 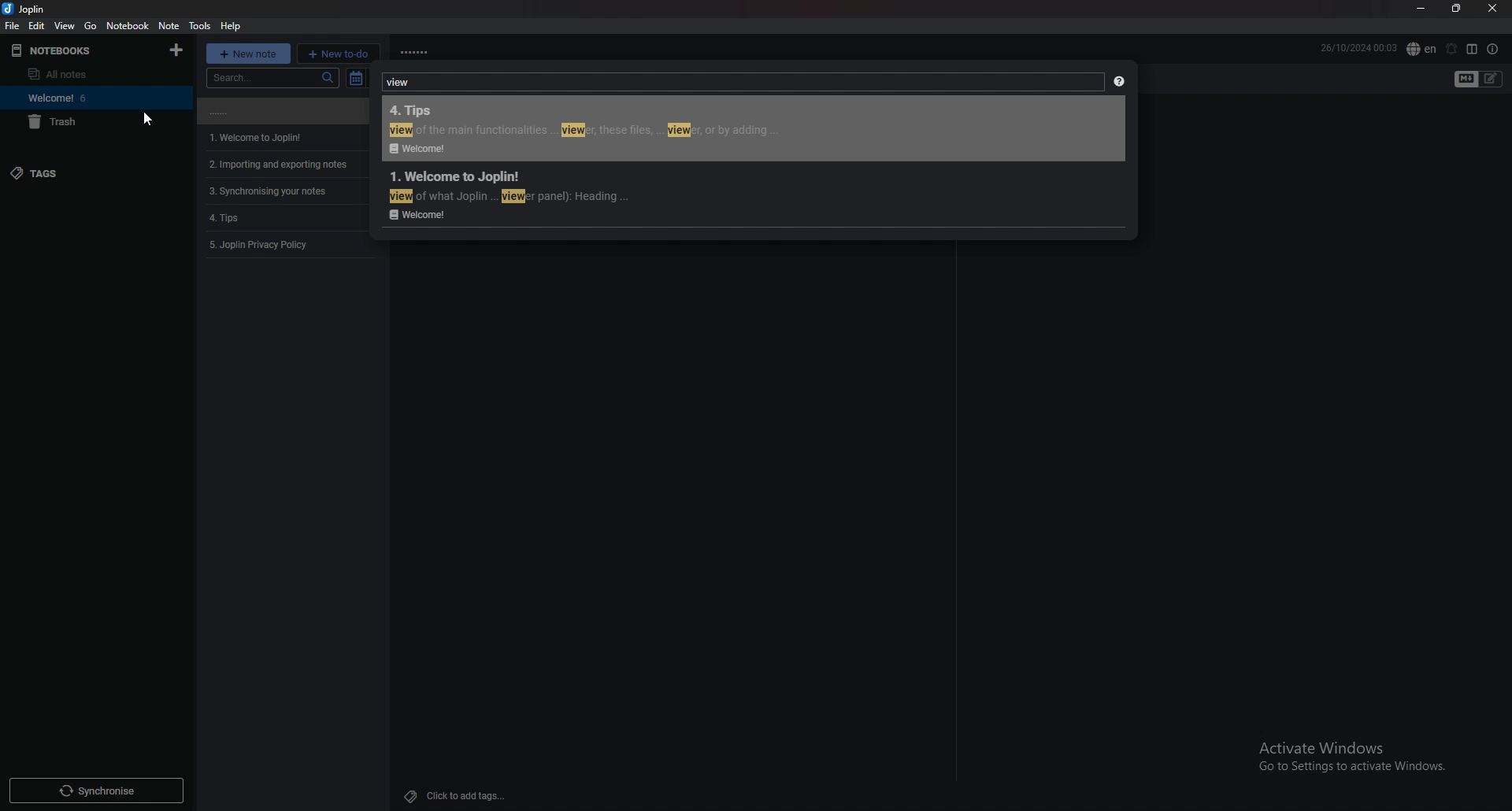 I want to click on note 3, so click(x=288, y=165).